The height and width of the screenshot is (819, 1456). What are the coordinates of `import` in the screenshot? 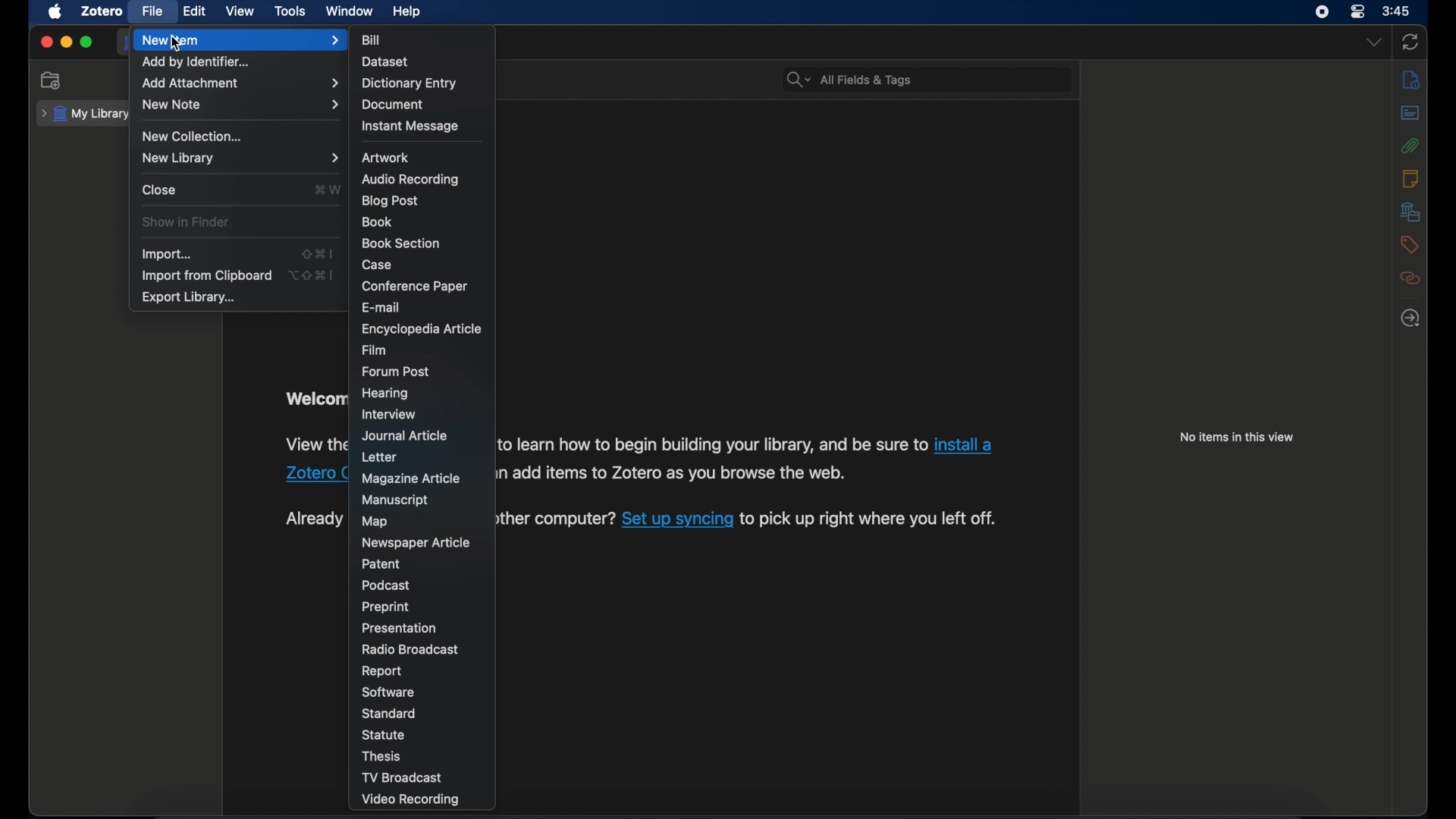 It's located at (168, 254).